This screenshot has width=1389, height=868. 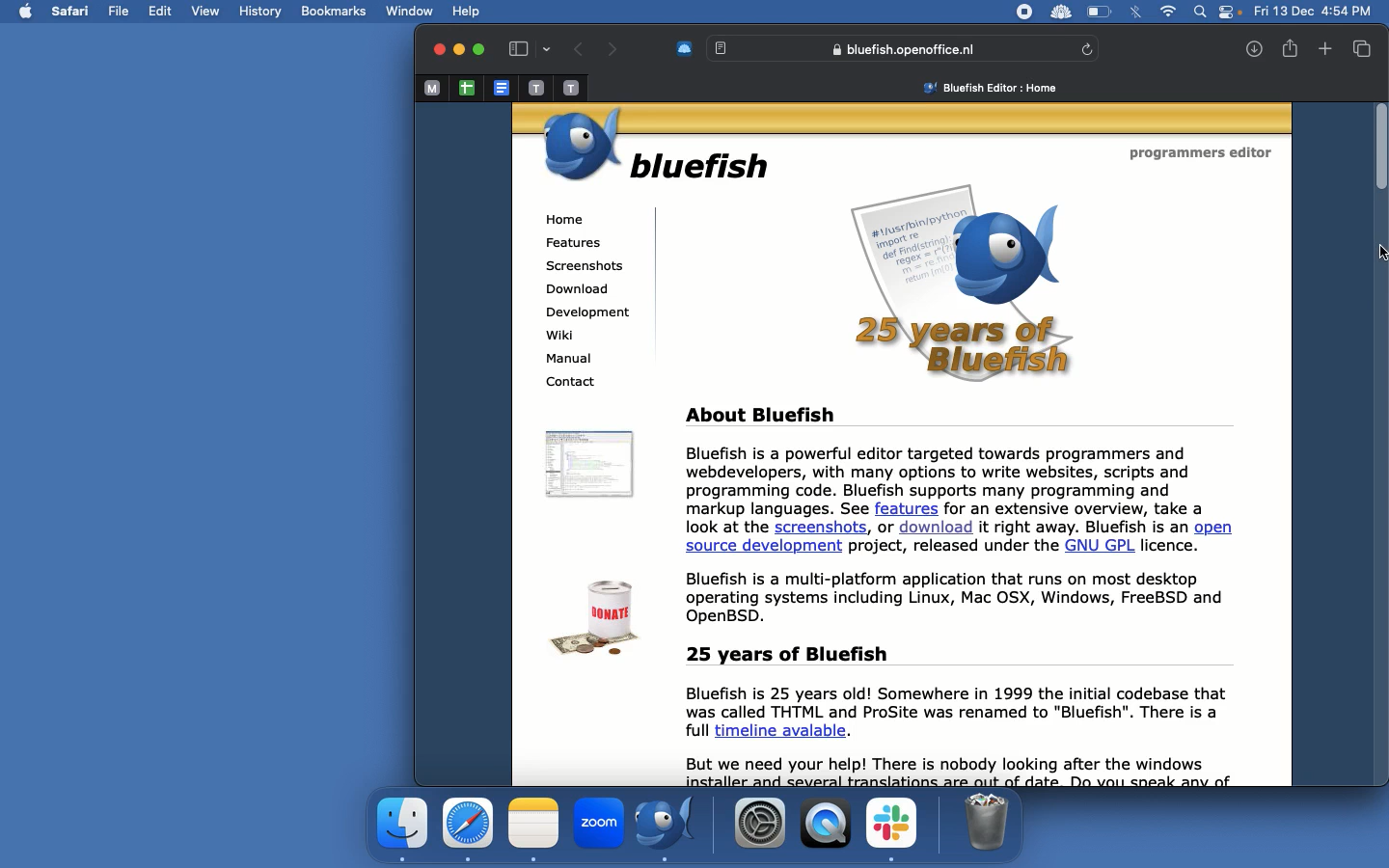 What do you see at coordinates (591, 616) in the screenshot?
I see `Donate icon` at bounding box center [591, 616].